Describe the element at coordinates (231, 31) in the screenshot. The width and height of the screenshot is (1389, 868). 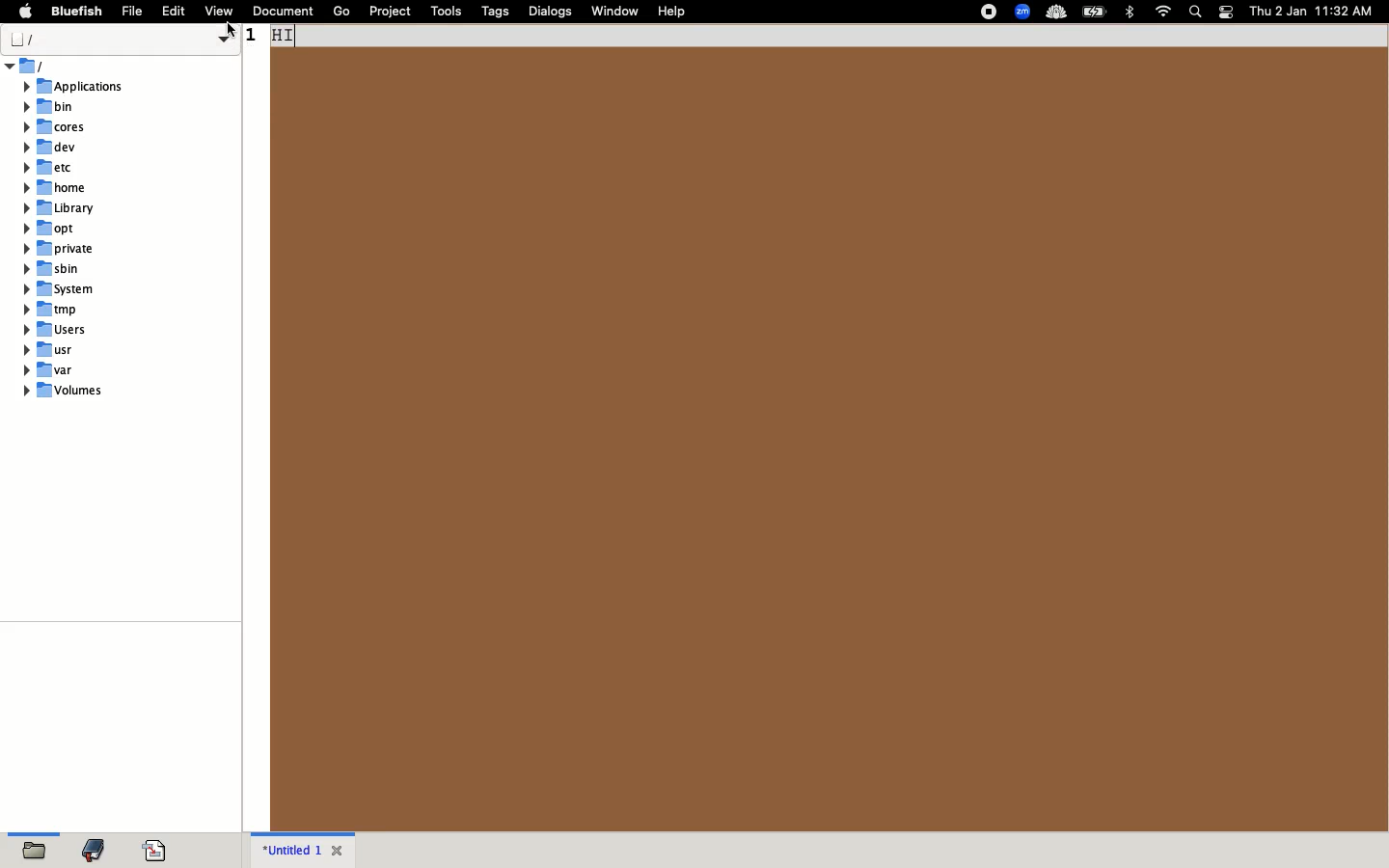
I see `cursor` at that location.